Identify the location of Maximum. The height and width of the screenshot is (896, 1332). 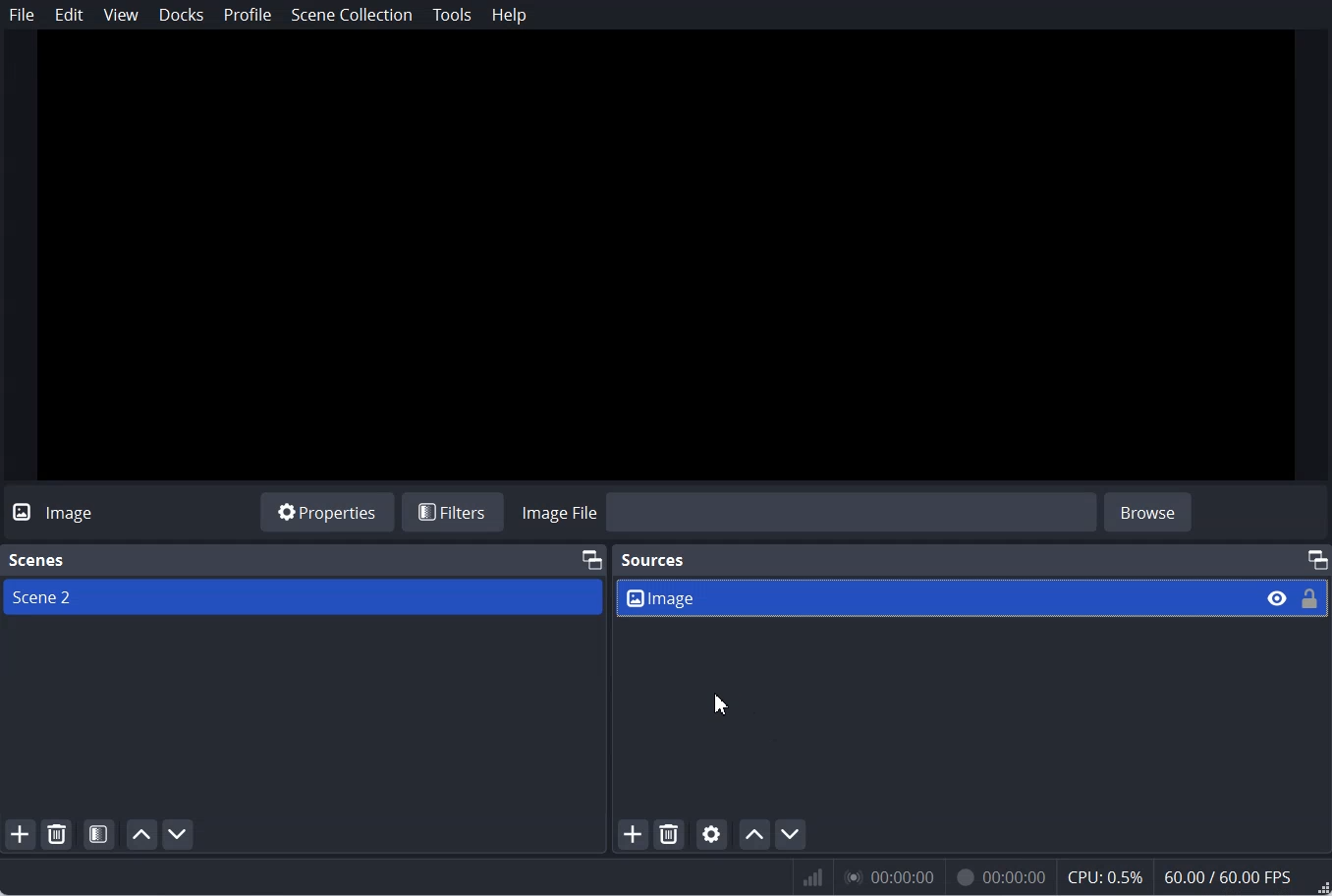
(591, 559).